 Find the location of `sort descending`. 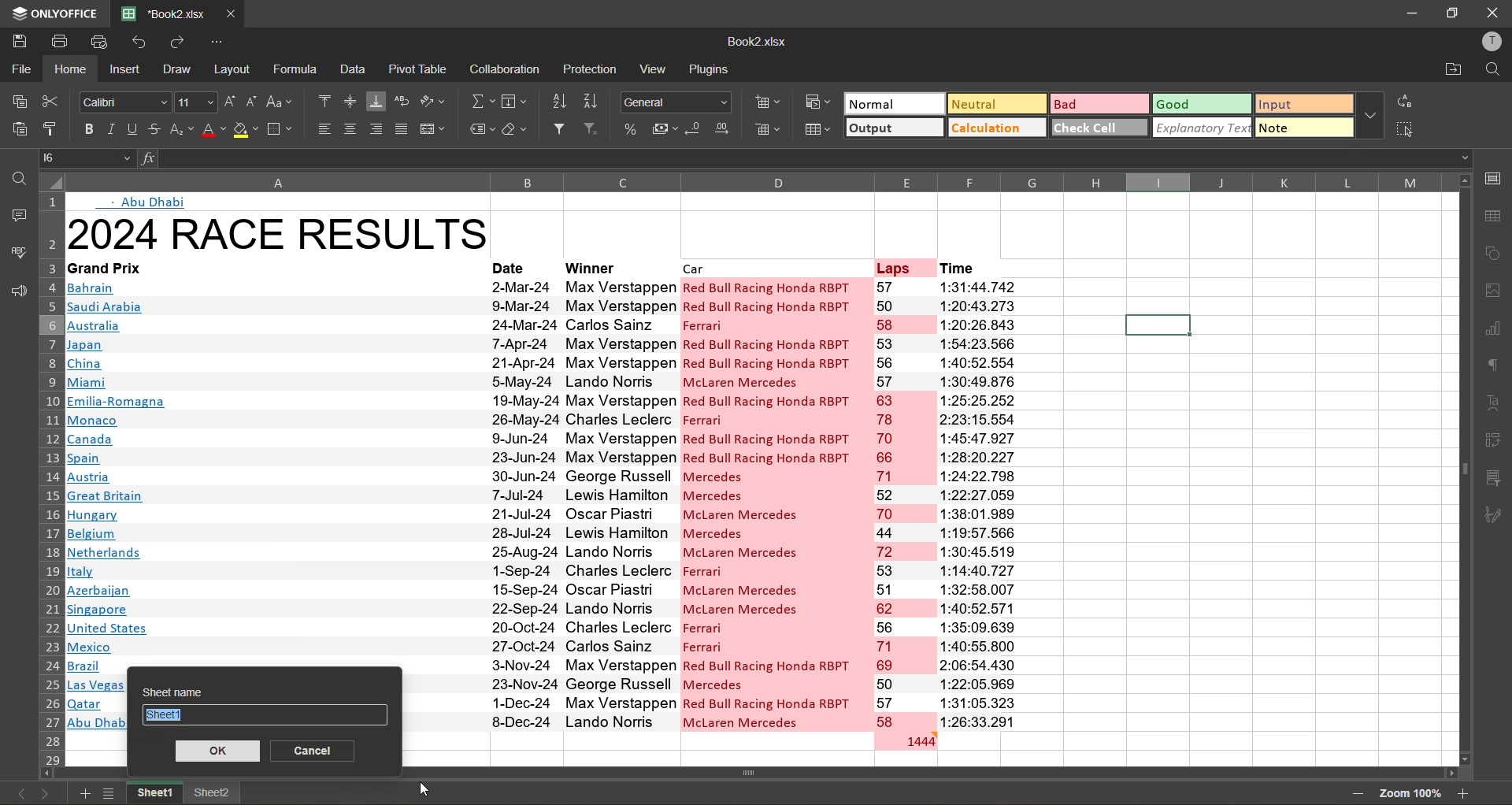

sort descending is located at coordinates (595, 99).